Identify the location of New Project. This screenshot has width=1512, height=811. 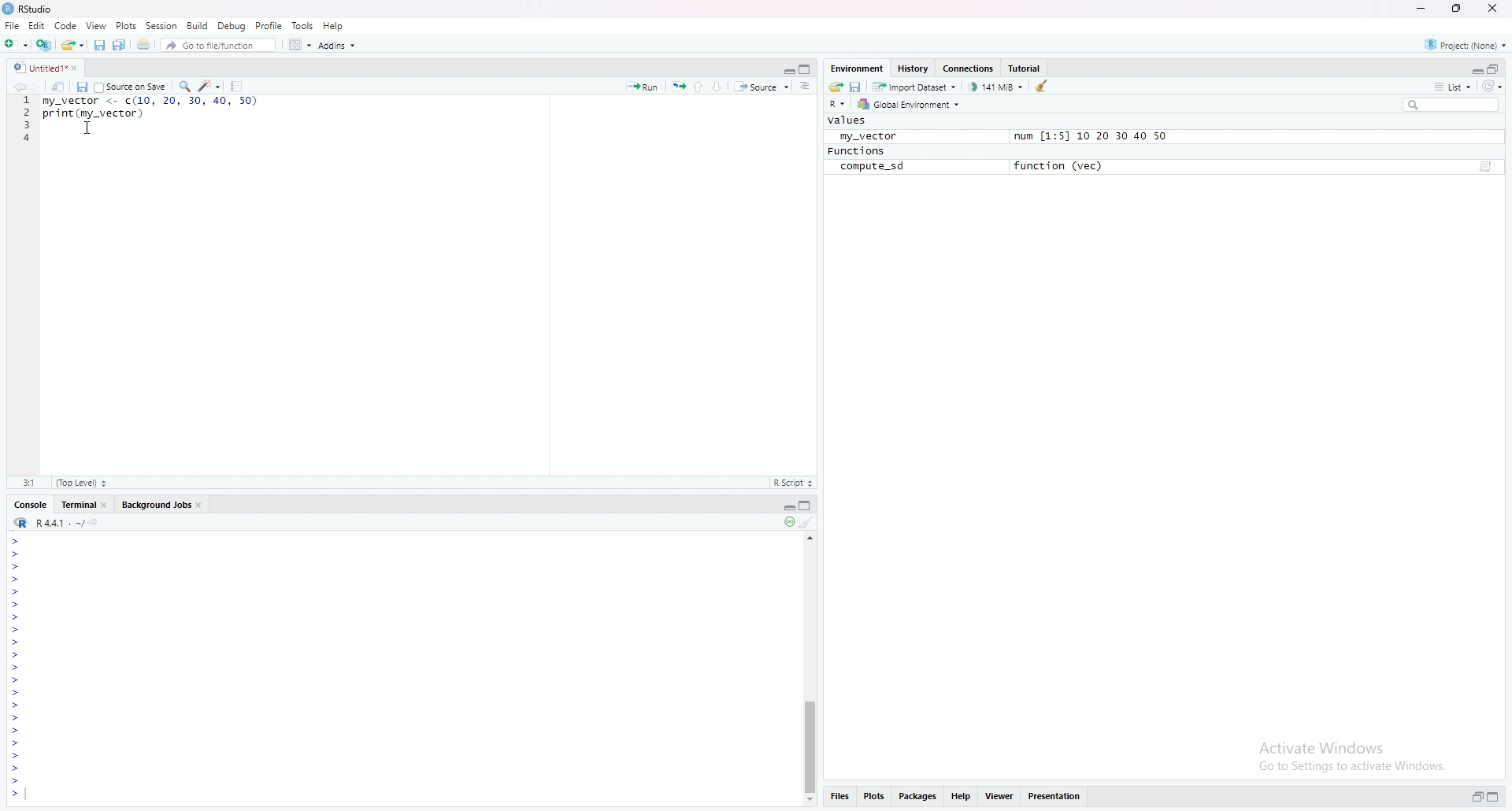
(16, 43).